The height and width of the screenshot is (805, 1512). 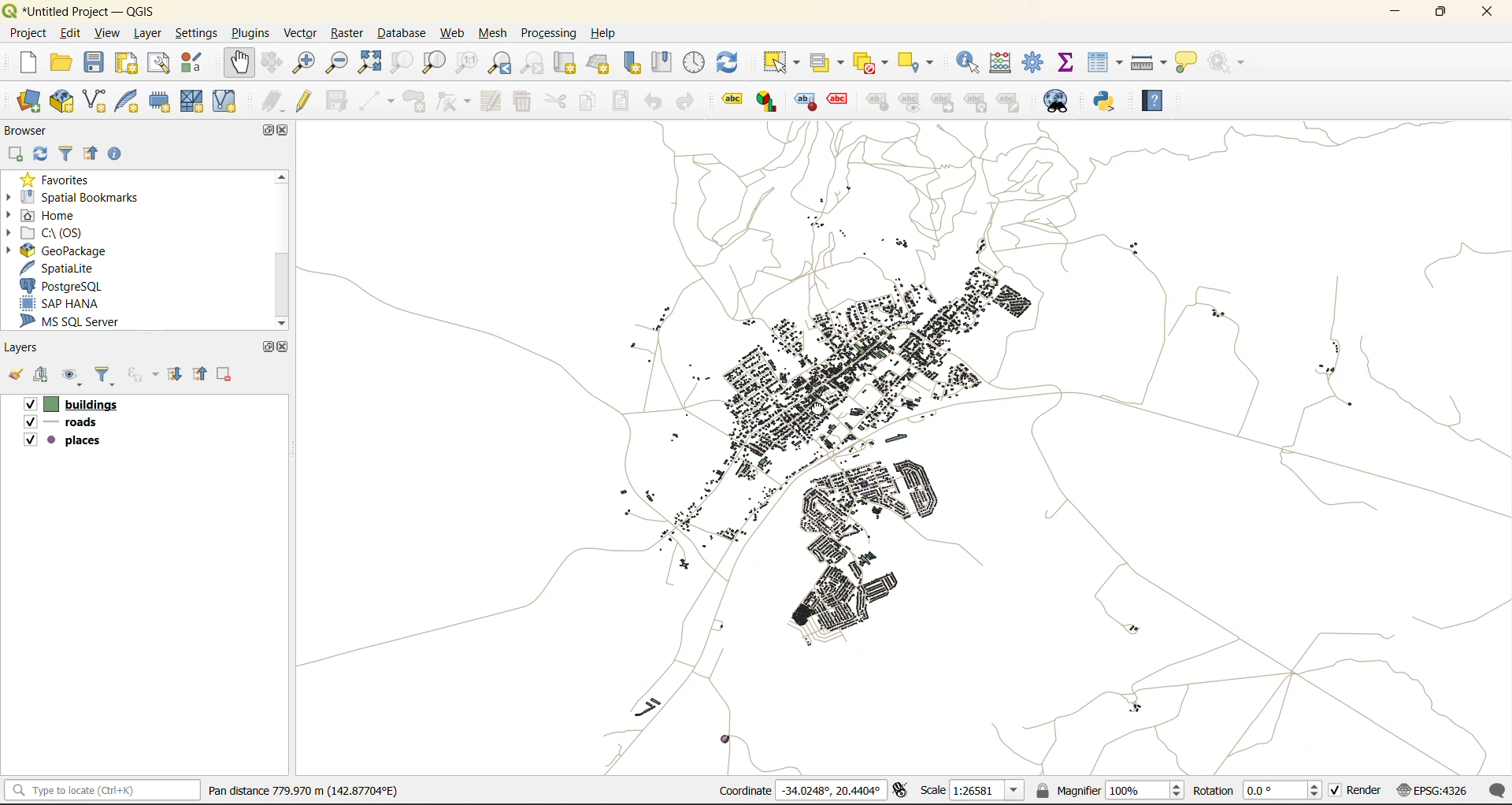 What do you see at coordinates (157, 101) in the screenshot?
I see `temporary scratch layer` at bounding box center [157, 101].